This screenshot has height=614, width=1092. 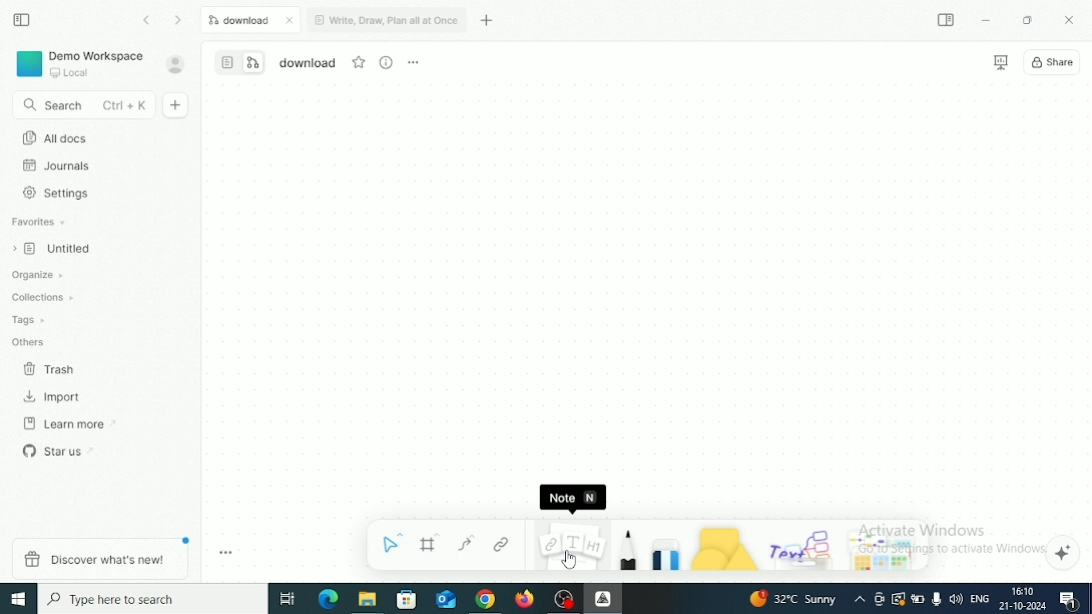 I want to click on Star us, so click(x=57, y=450).